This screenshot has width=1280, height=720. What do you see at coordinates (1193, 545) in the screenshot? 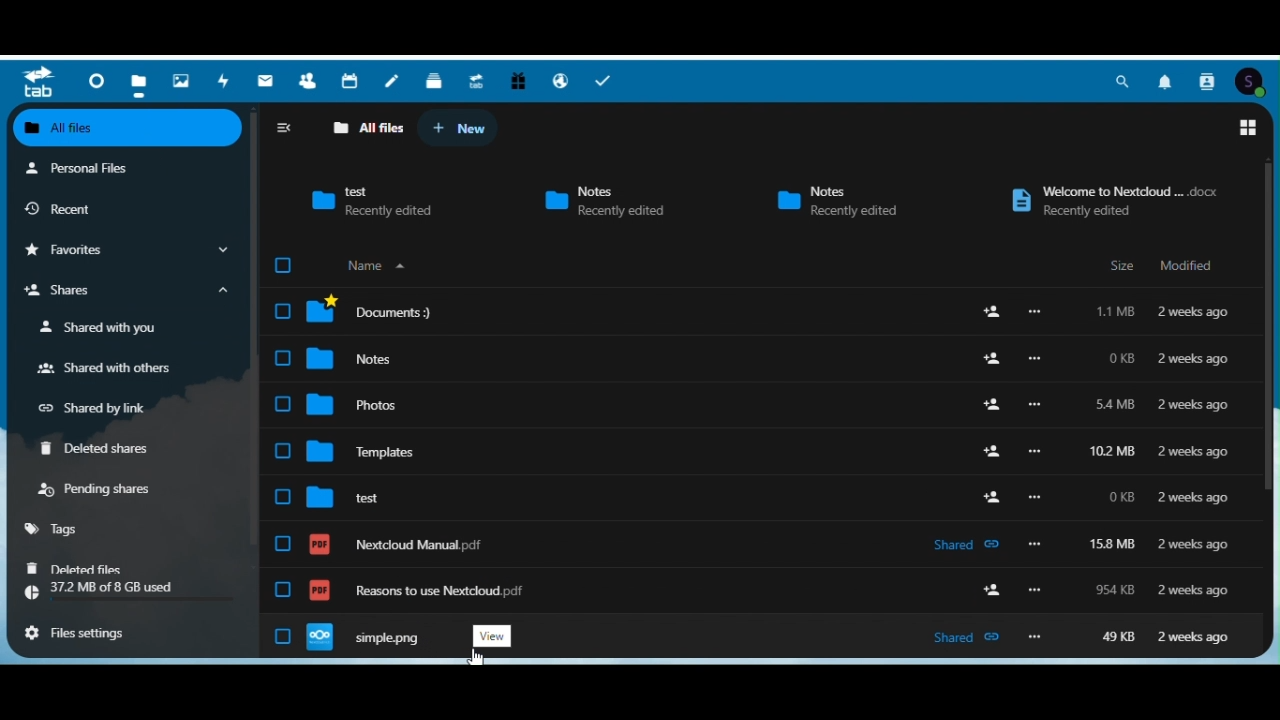
I see `modified` at bounding box center [1193, 545].